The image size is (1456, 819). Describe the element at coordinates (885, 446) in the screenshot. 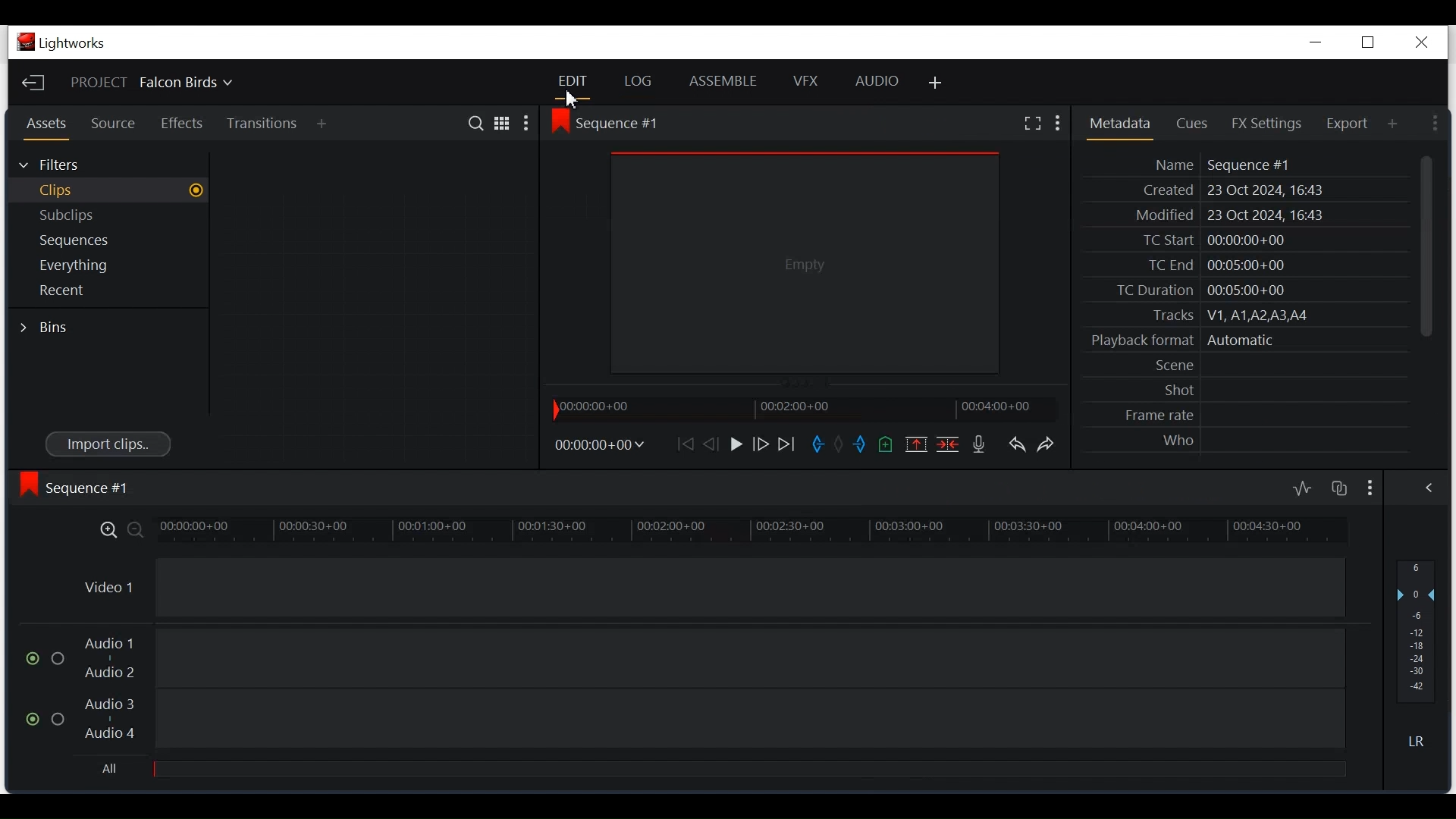

I see `Add a cue` at that location.